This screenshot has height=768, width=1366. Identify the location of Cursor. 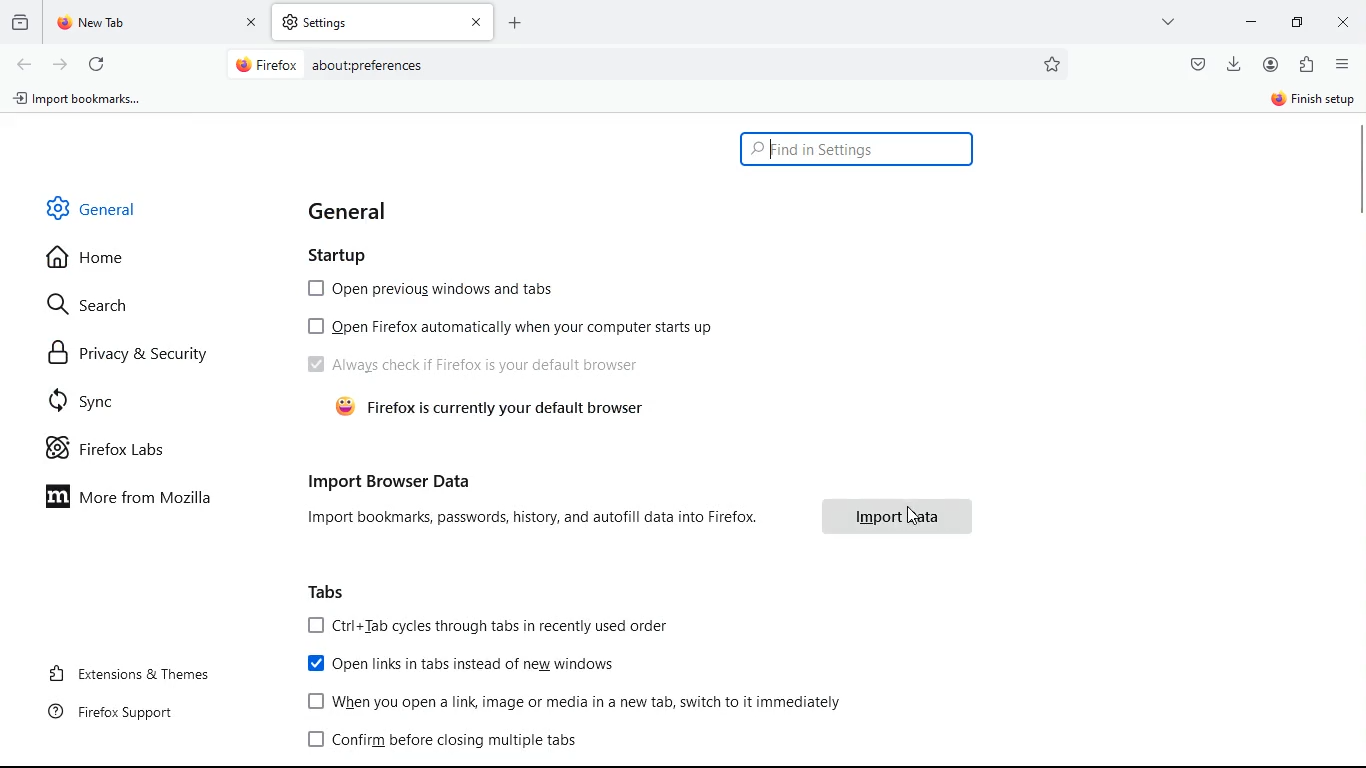
(915, 517).